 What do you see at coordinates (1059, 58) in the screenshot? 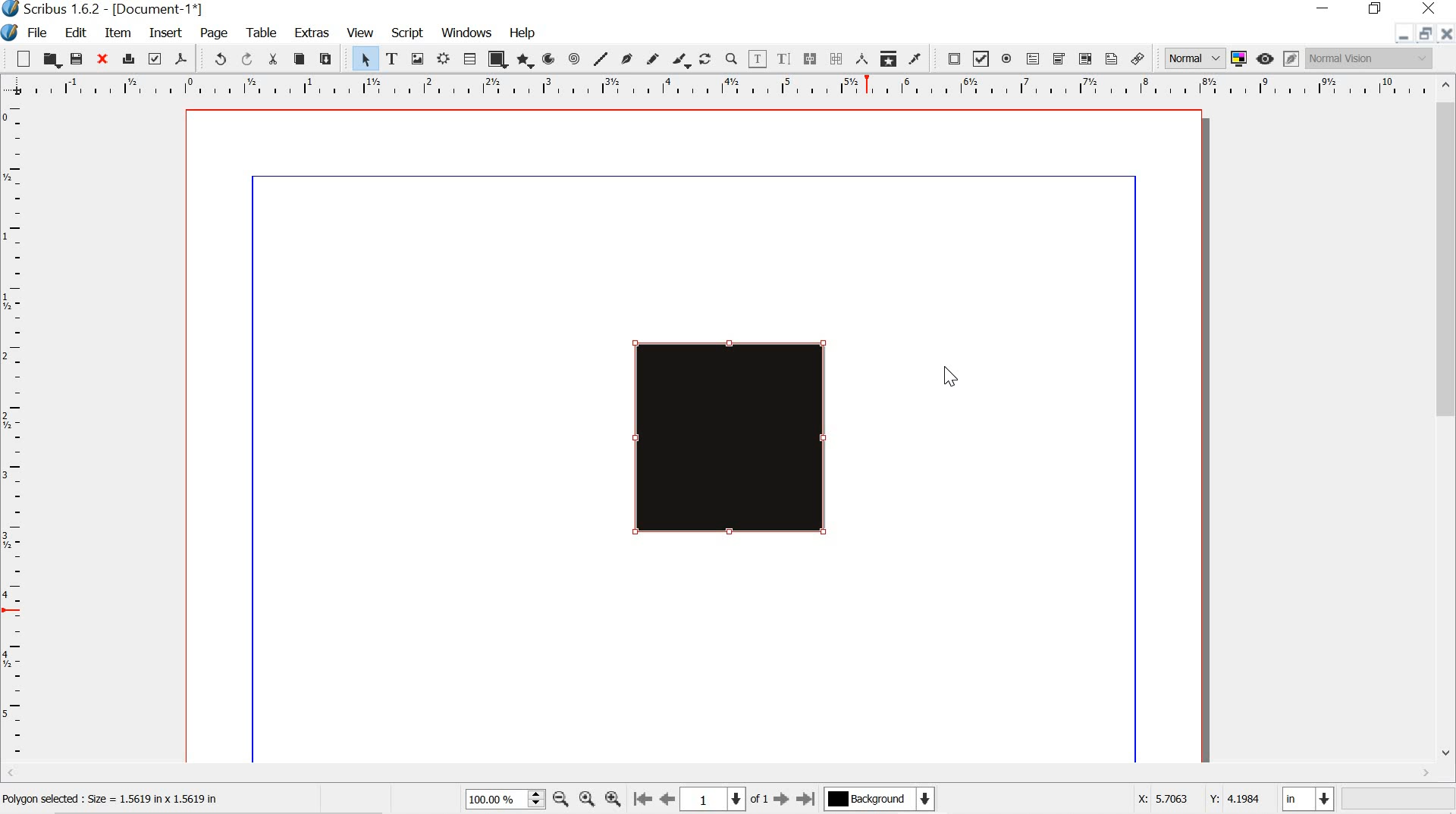
I see `pdf combo box` at bounding box center [1059, 58].